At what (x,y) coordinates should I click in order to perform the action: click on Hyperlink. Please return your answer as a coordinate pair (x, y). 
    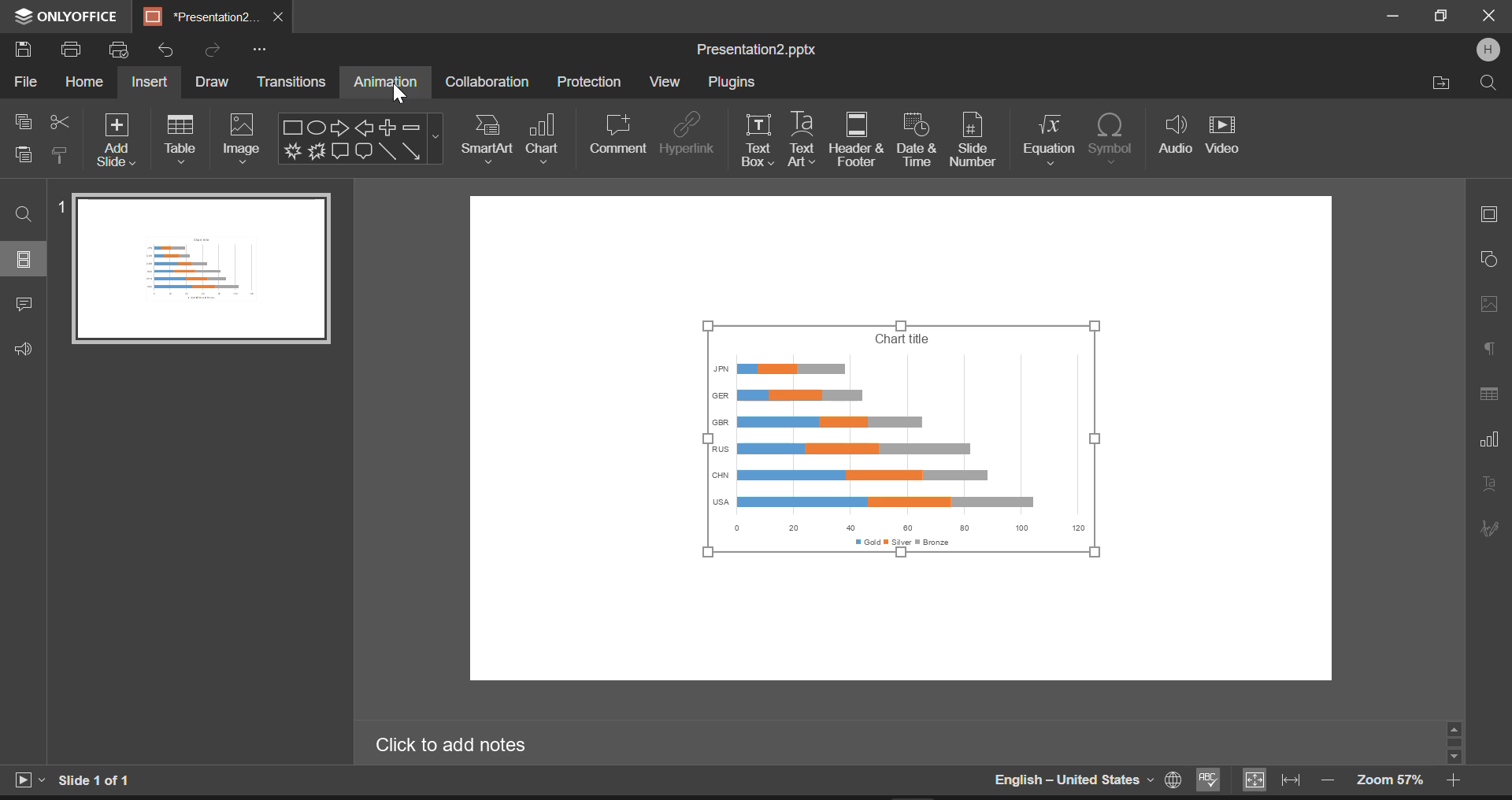
    Looking at the image, I should click on (687, 135).